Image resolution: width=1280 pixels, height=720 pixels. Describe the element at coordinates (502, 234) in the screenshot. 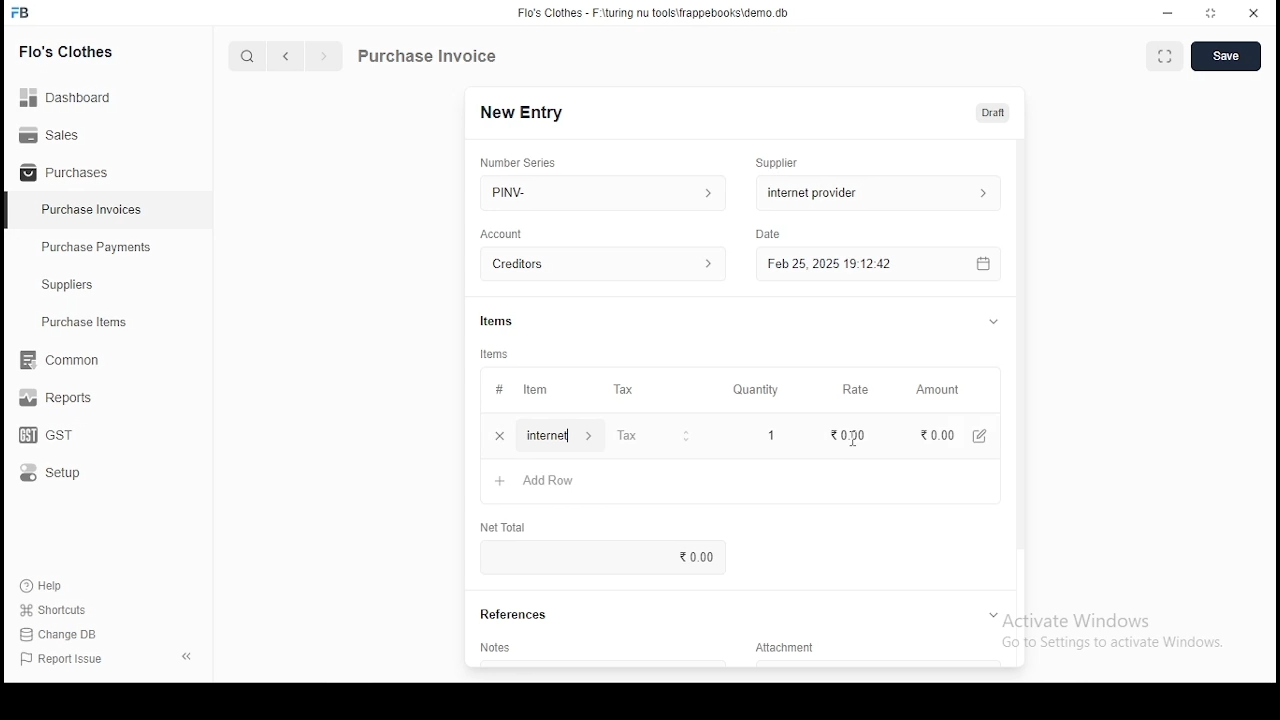

I see `account` at that location.